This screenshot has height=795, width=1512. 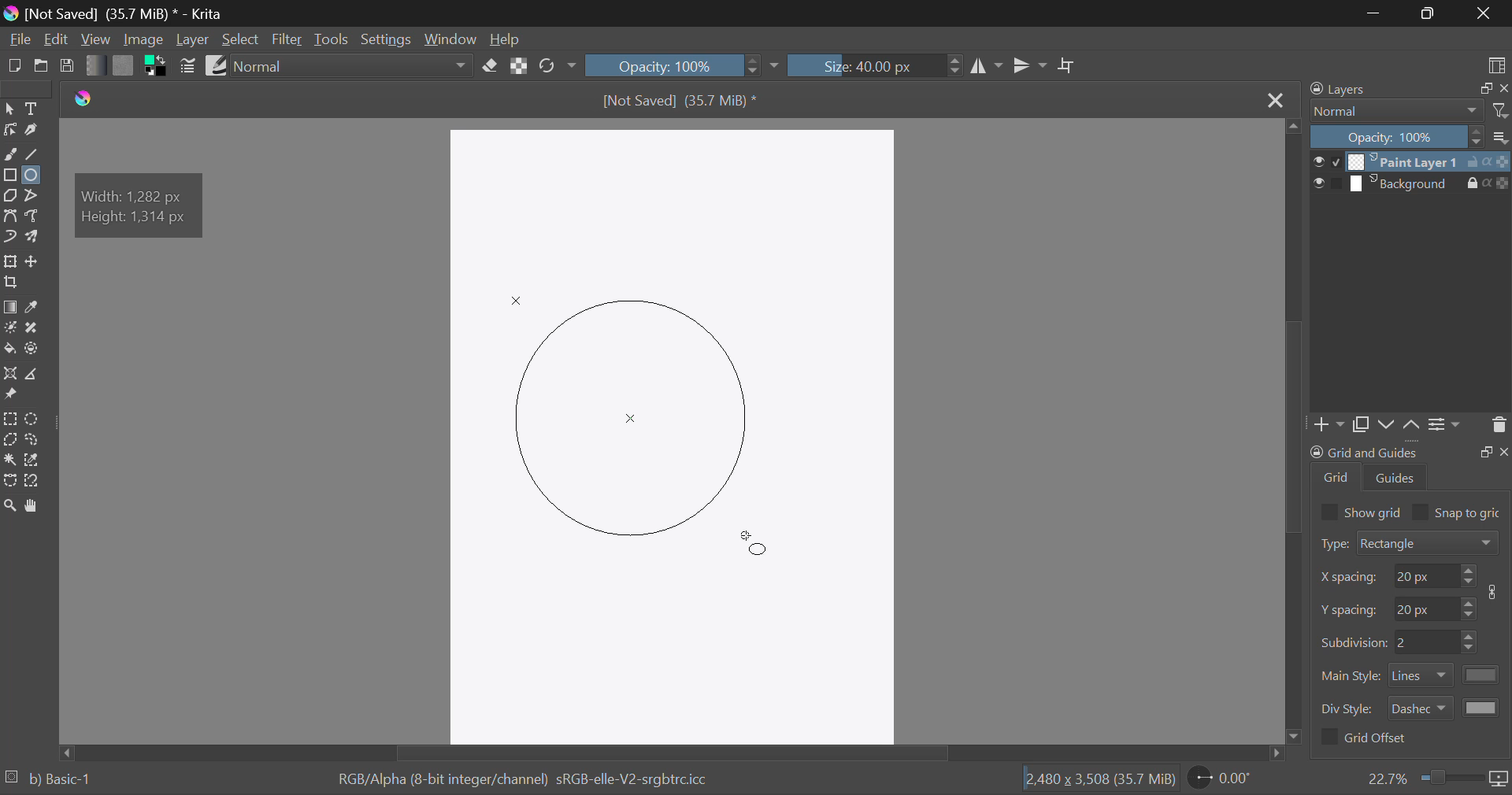 What do you see at coordinates (1360, 511) in the screenshot?
I see `Show grid` at bounding box center [1360, 511].